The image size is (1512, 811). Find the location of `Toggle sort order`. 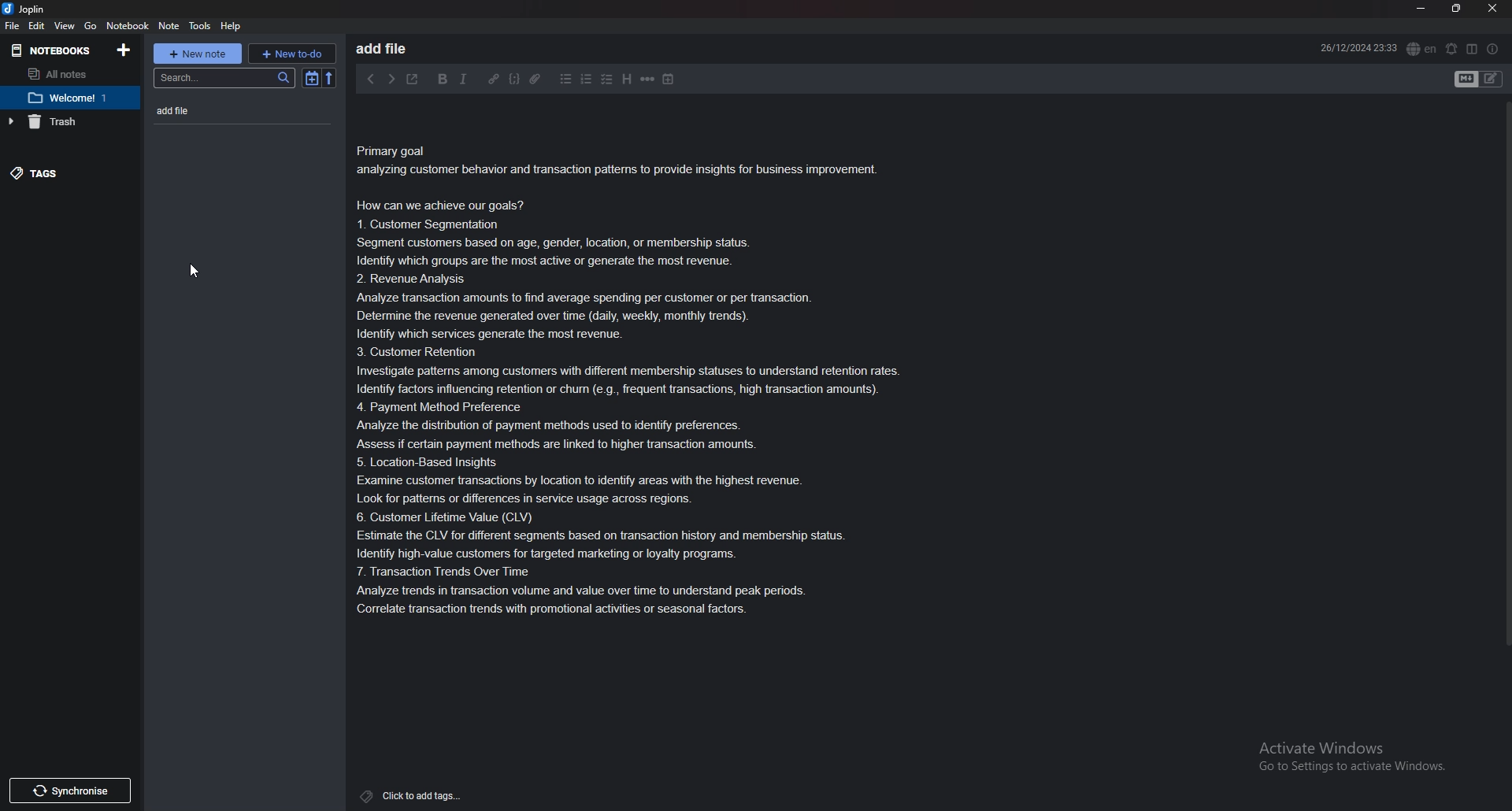

Toggle sort order is located at coordinates (313, 78).